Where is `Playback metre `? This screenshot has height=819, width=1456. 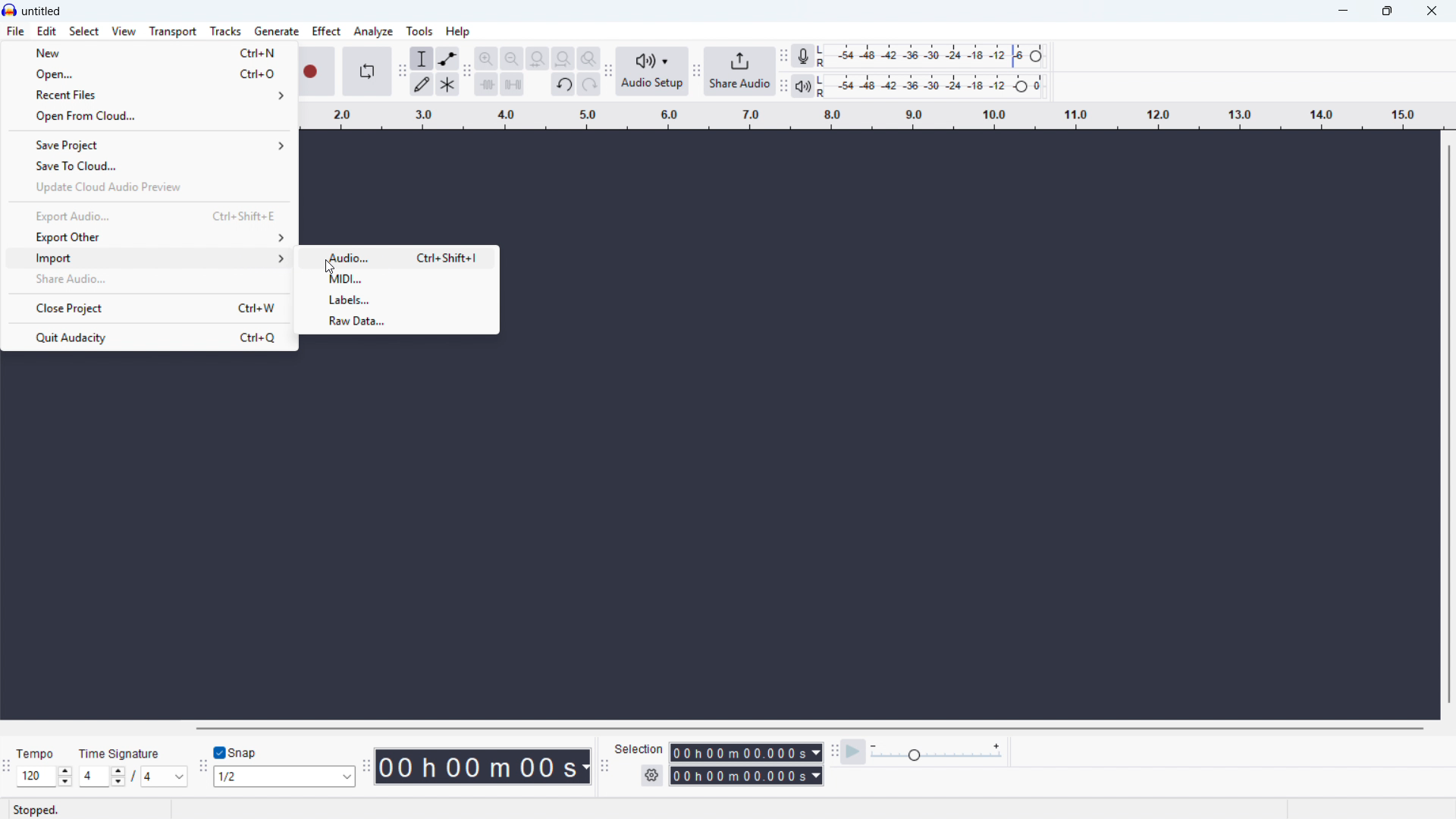 Playback metre  is located at coordinates (803, 87).